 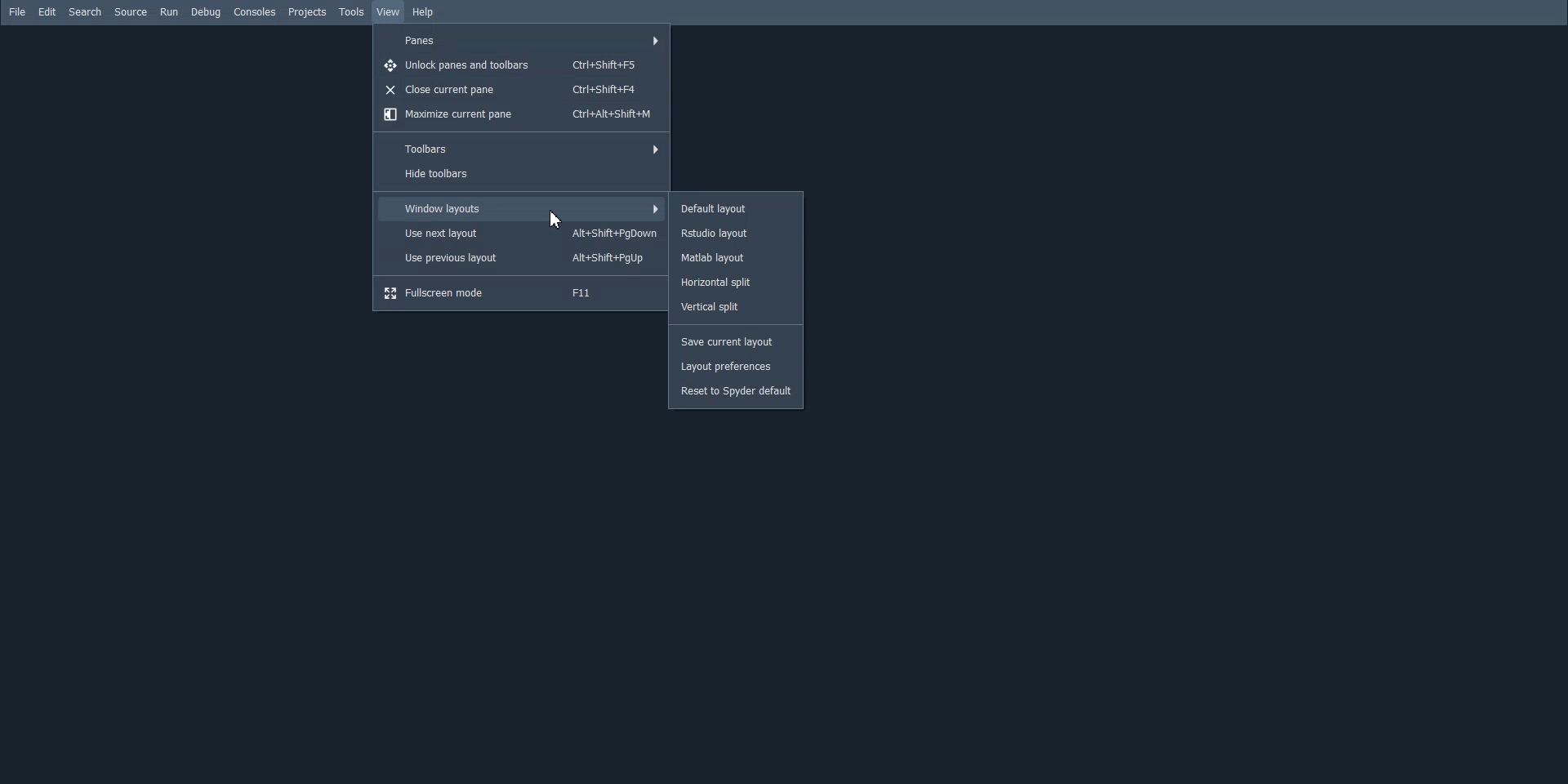 I want to click on Hide toolbars, so click(x=521, y=175).